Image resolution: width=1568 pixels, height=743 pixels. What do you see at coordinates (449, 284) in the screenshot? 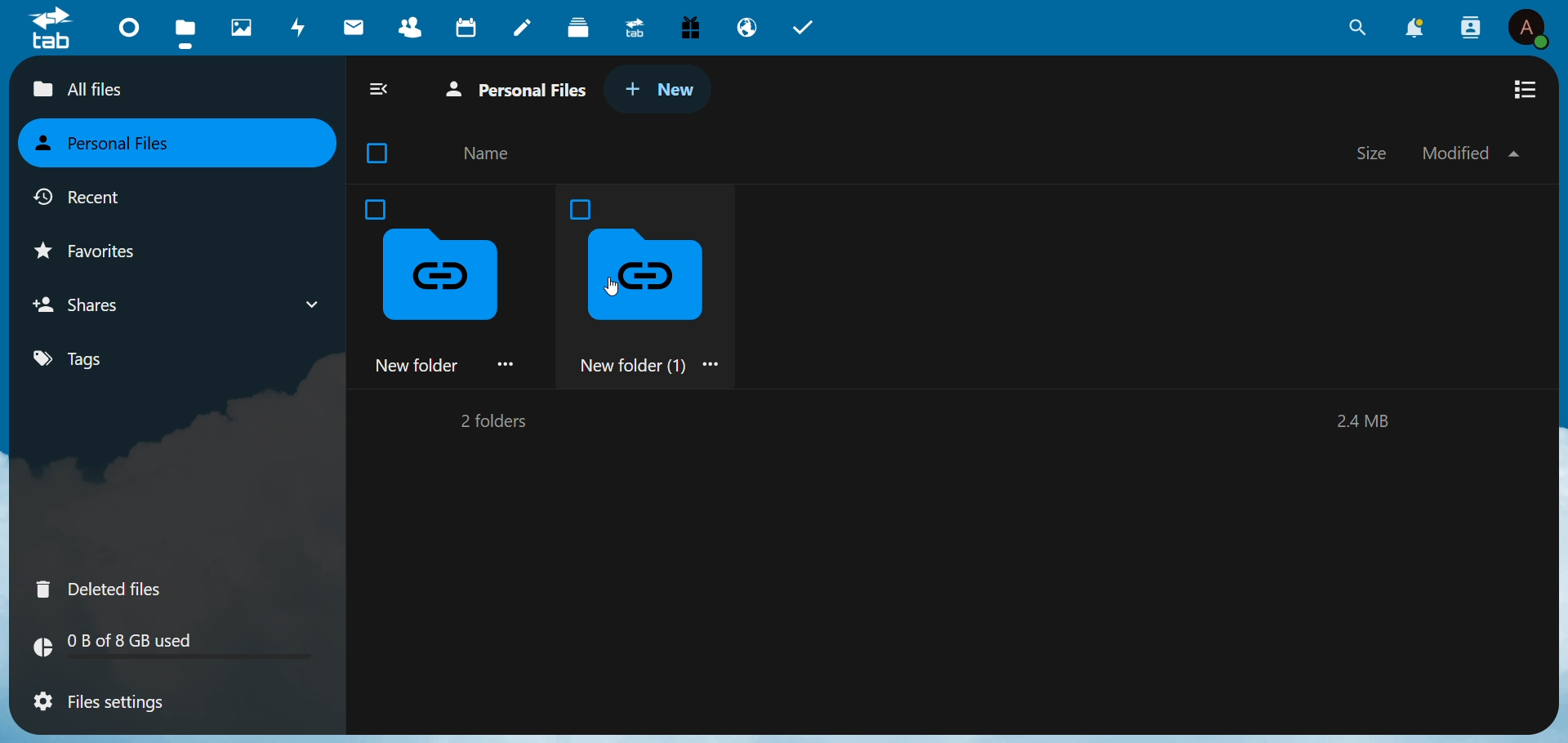
I see `new folder` at bounding box center [449, 284].